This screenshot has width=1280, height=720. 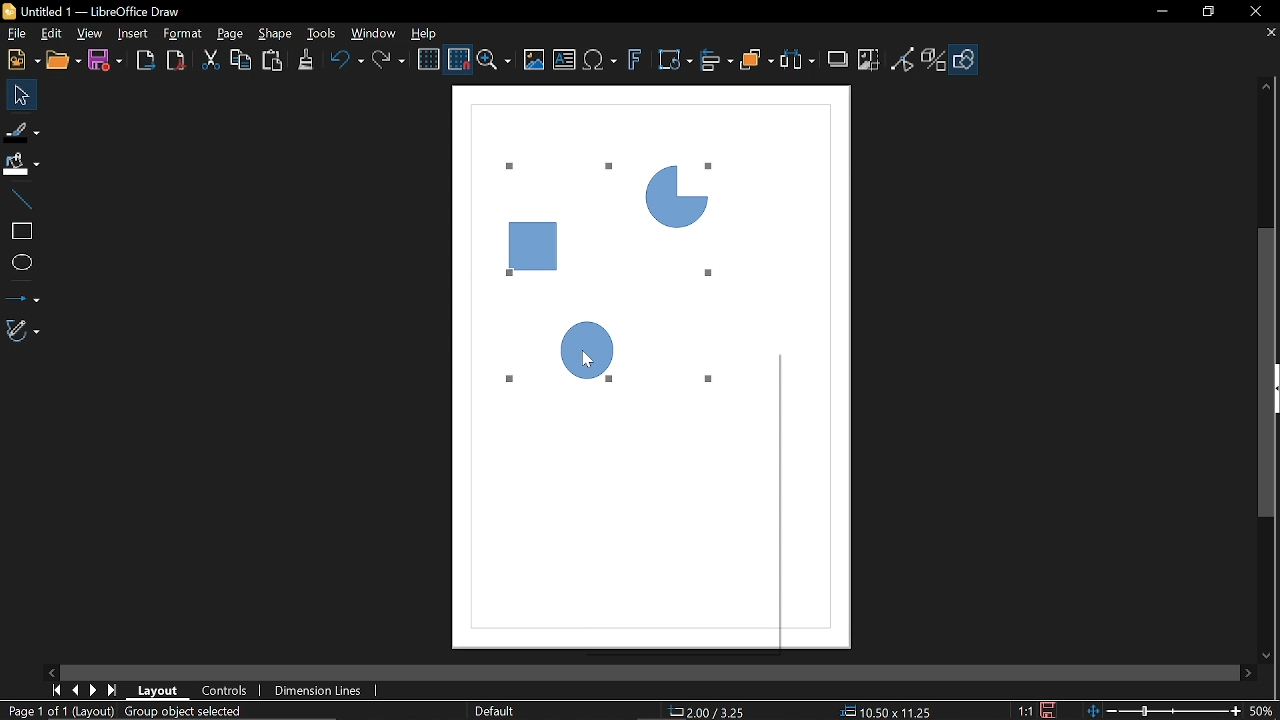 What do you see at coordinates (757, 62) in the screenshot?
I see `Arrange` at bounding box center [757, 62].